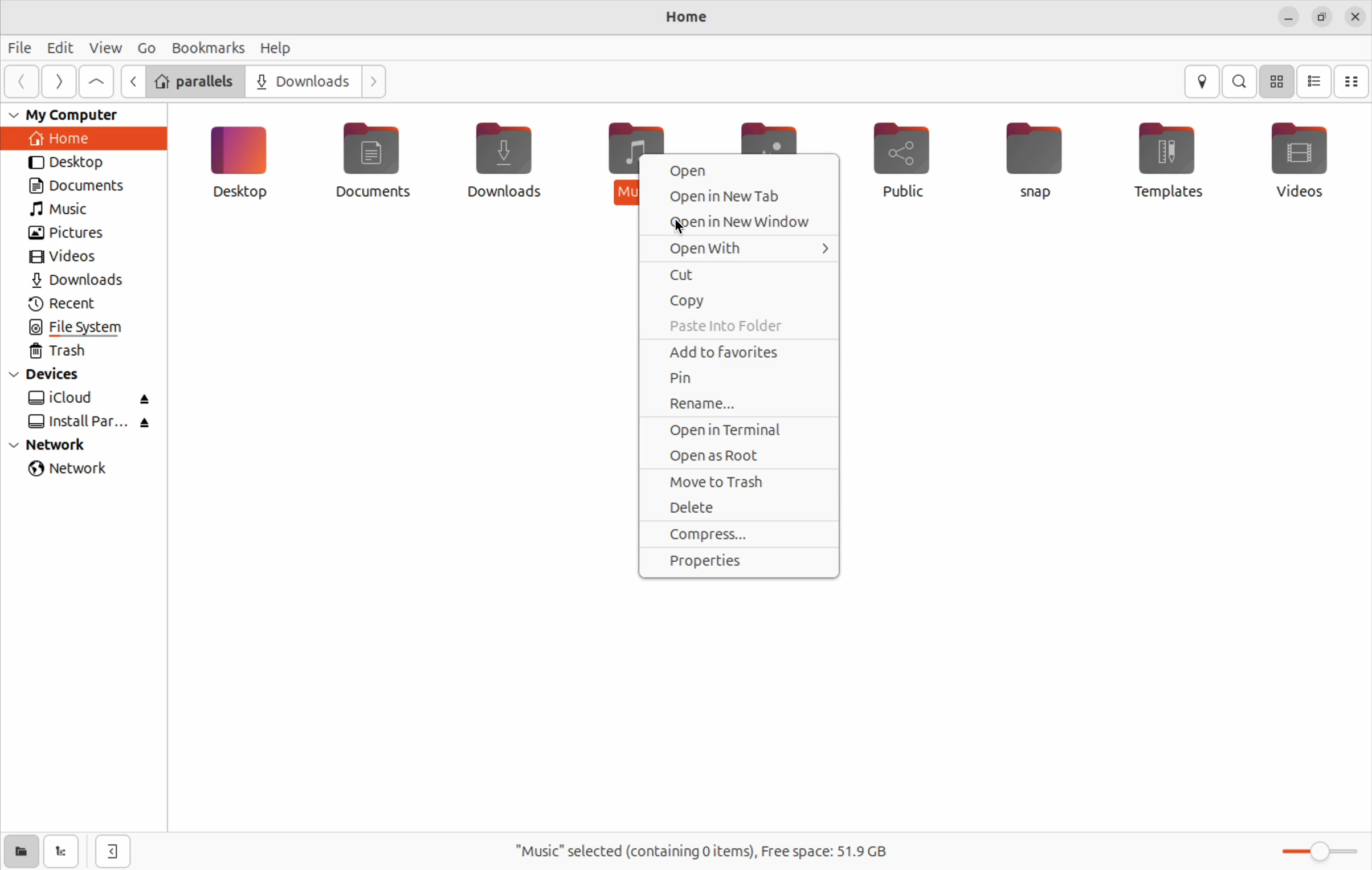  Describe the element at coordinates (740, 378) in the screenshot. I see `pin` at that location.